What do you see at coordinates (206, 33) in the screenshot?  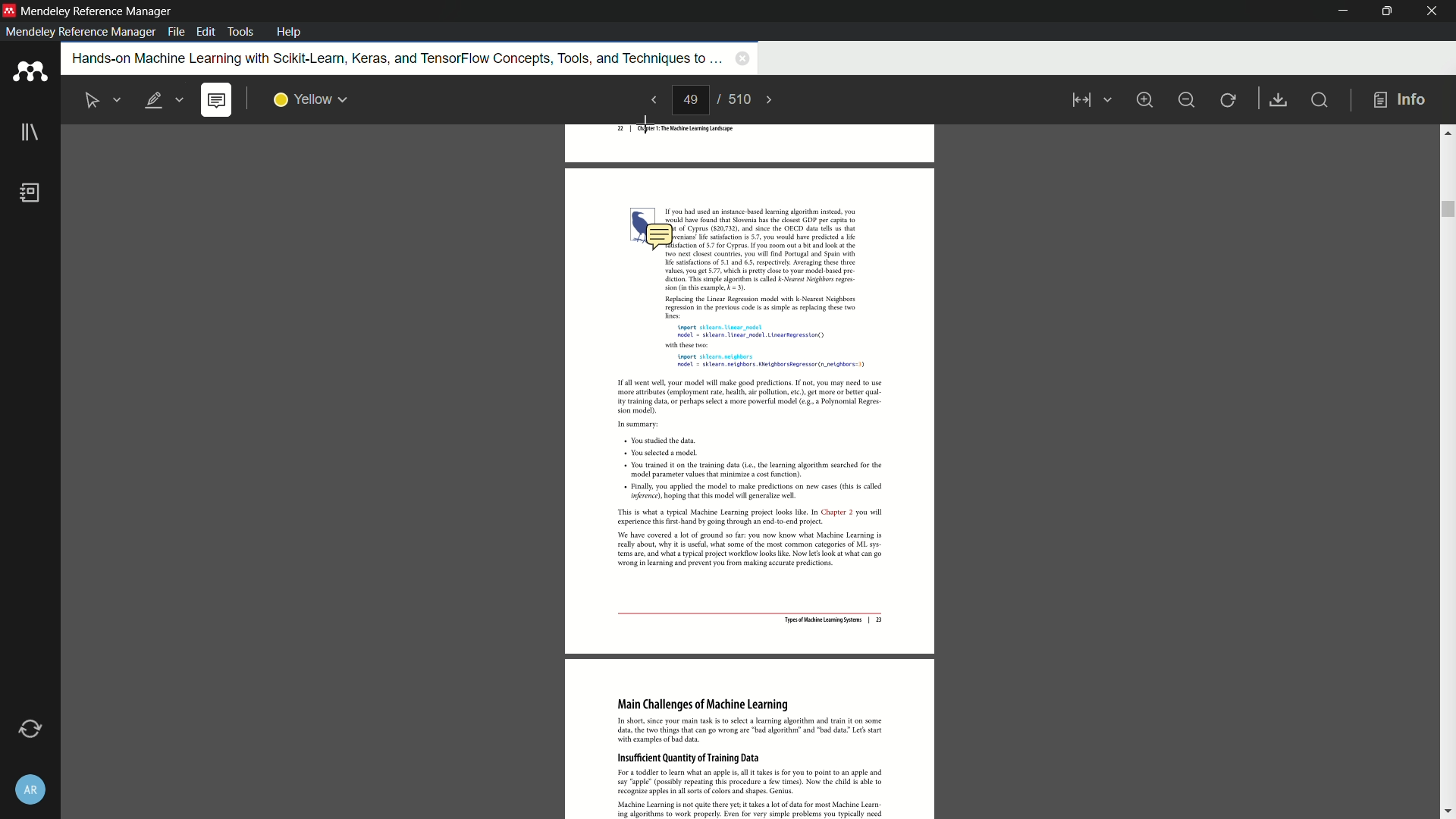 I see `edit menu` at bounding box center [206, 33].